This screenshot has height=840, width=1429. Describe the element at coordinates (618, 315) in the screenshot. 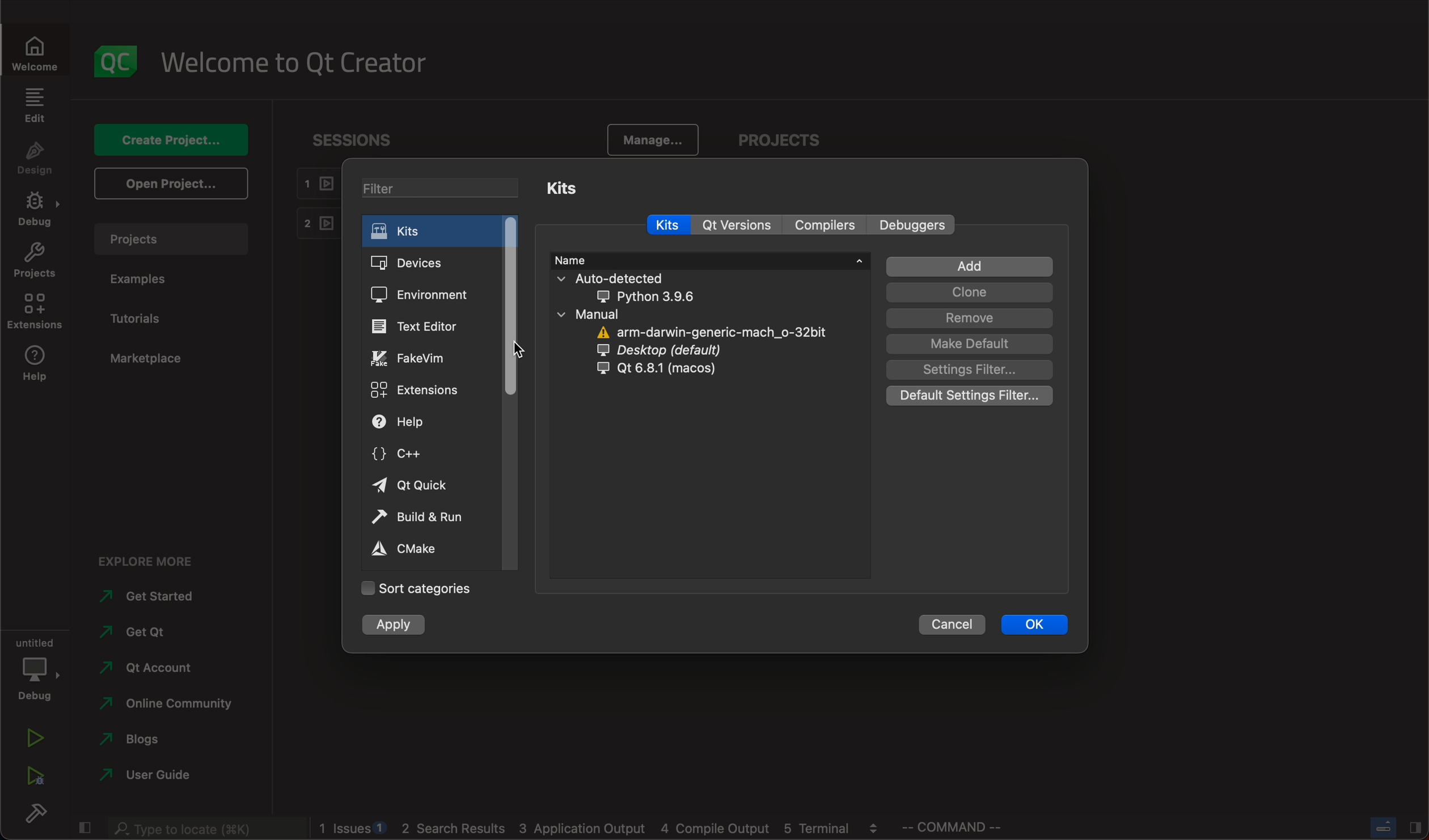

I see `manual` at that location.